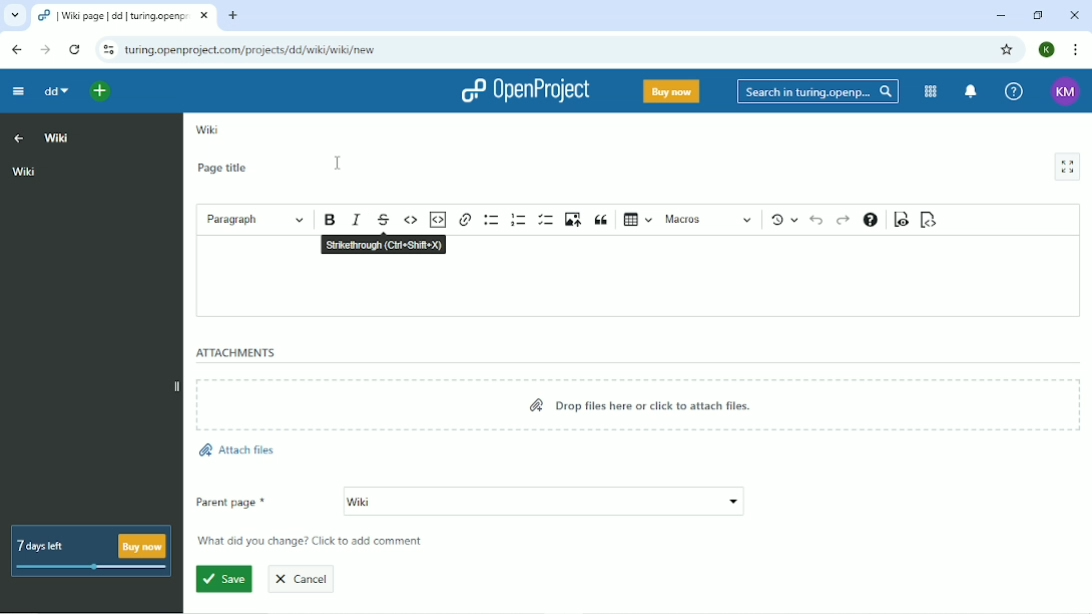  I want to click on Link, so click(466, 220).